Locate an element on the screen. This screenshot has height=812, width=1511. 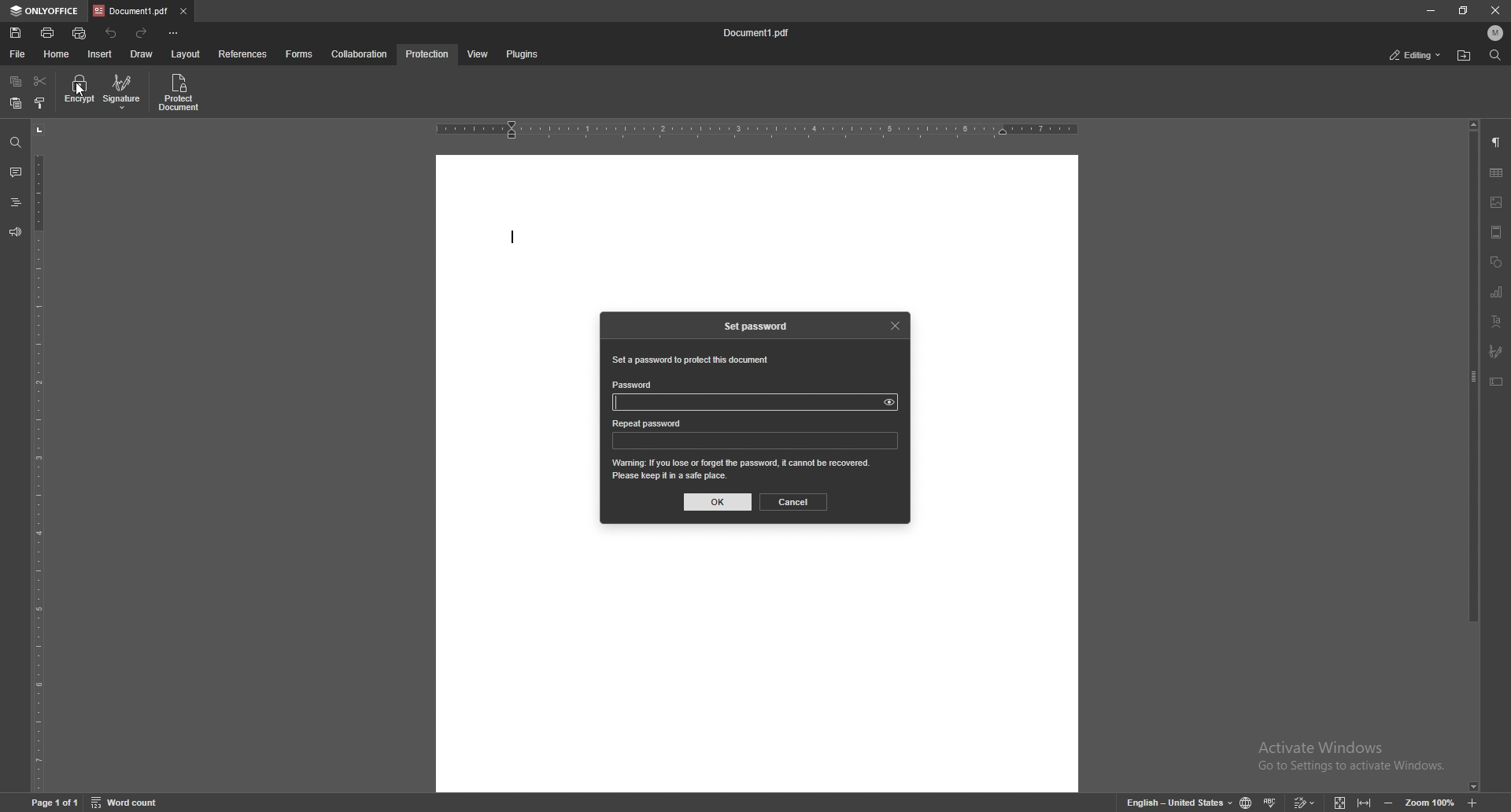
home is located at coordinates (56, 54).